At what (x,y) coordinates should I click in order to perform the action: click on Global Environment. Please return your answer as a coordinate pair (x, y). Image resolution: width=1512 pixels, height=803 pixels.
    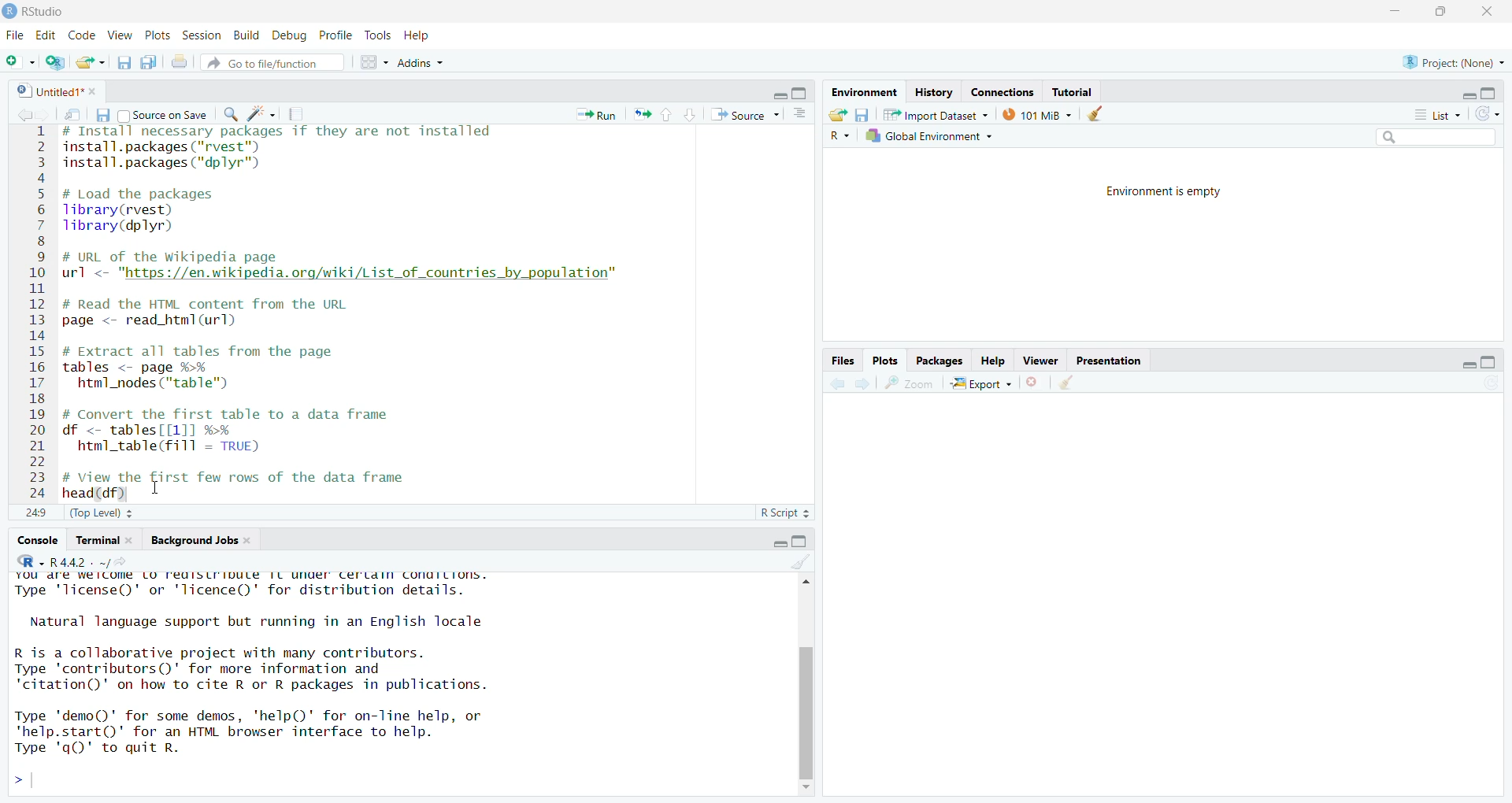
    Looking at the image, I should click on (930, 135).